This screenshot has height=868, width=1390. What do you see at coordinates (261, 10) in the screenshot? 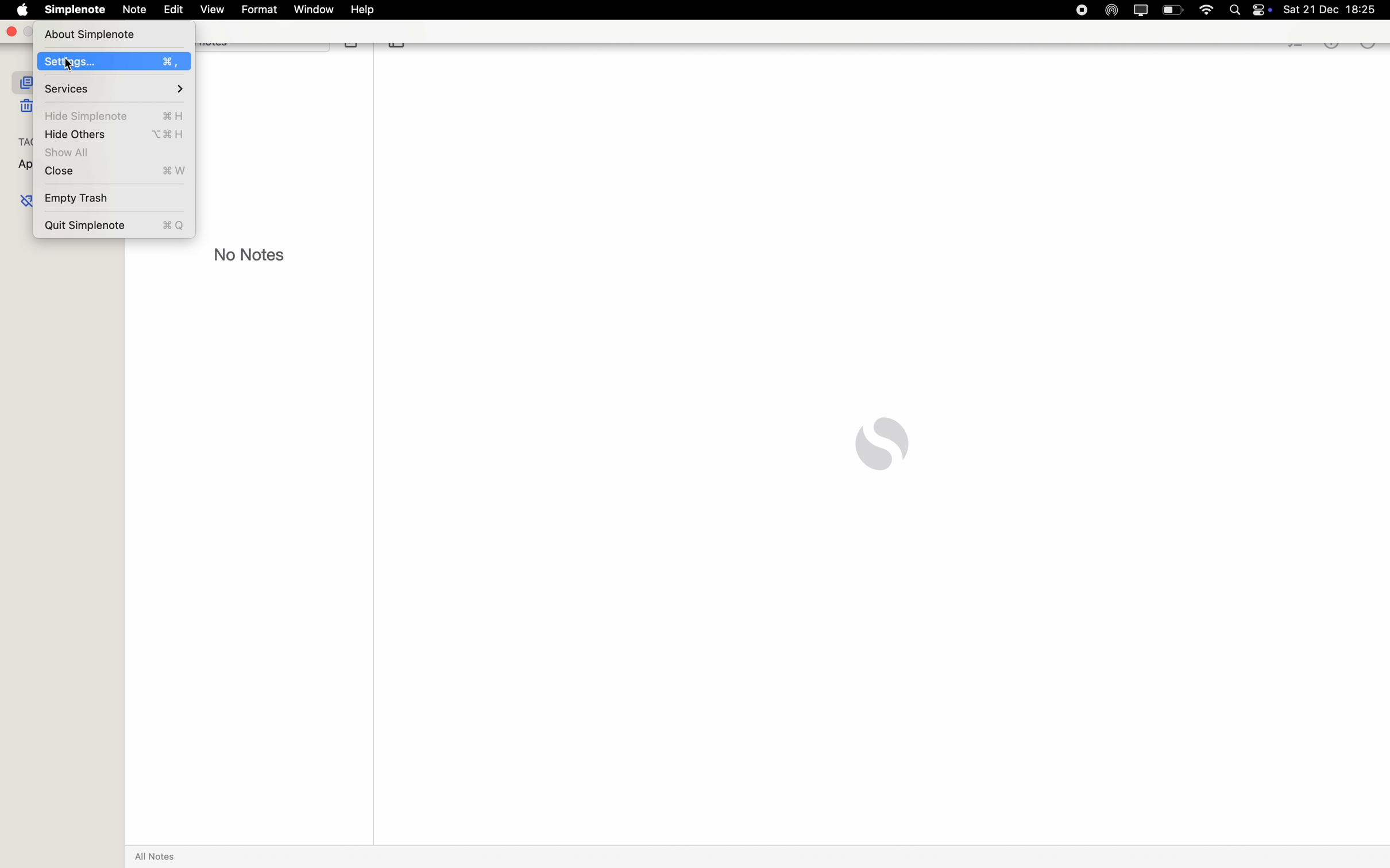
I see `format` at bounding box center [261, 10].